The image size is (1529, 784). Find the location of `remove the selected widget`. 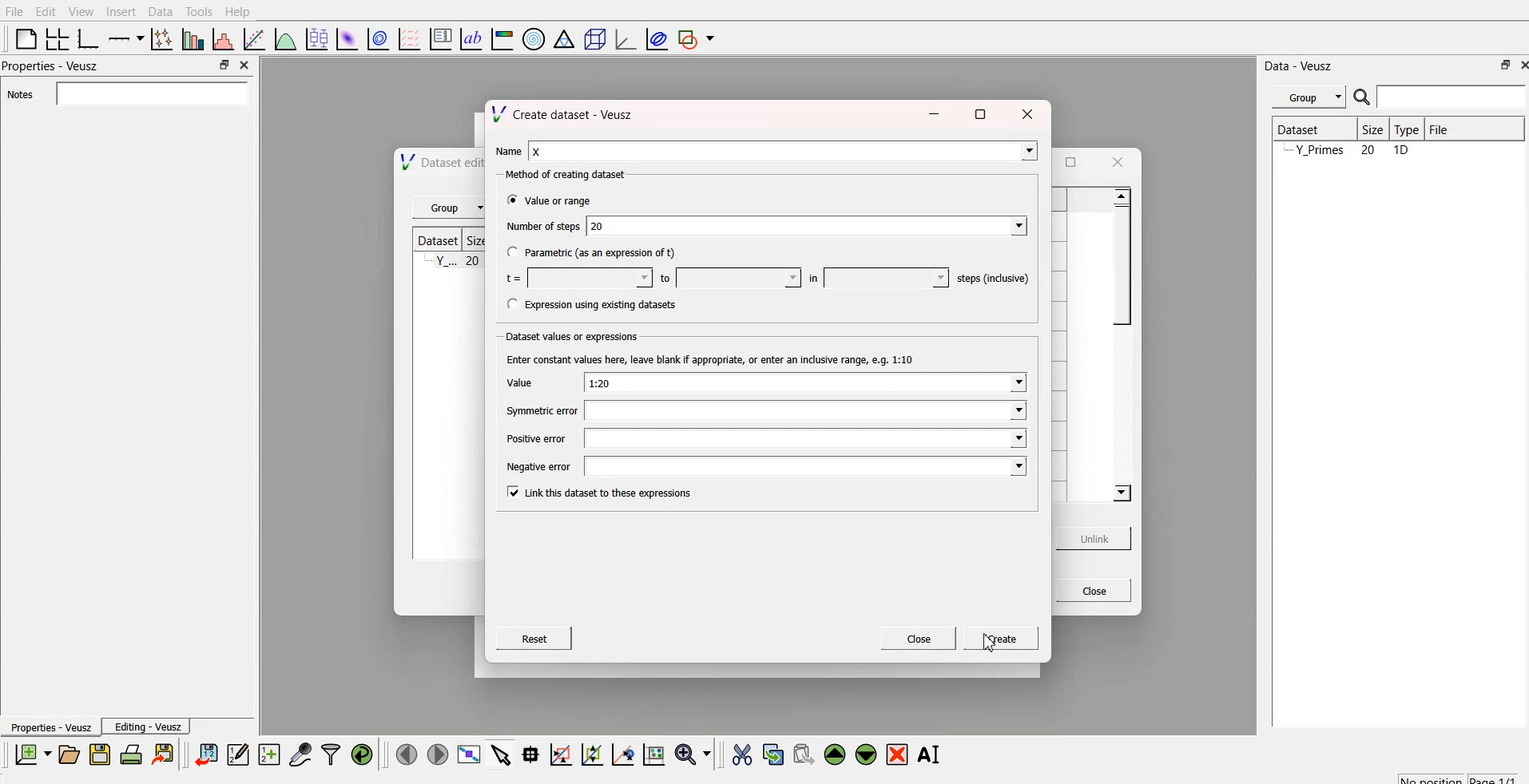

remove the selected widget is located at coordinates (900, 754).